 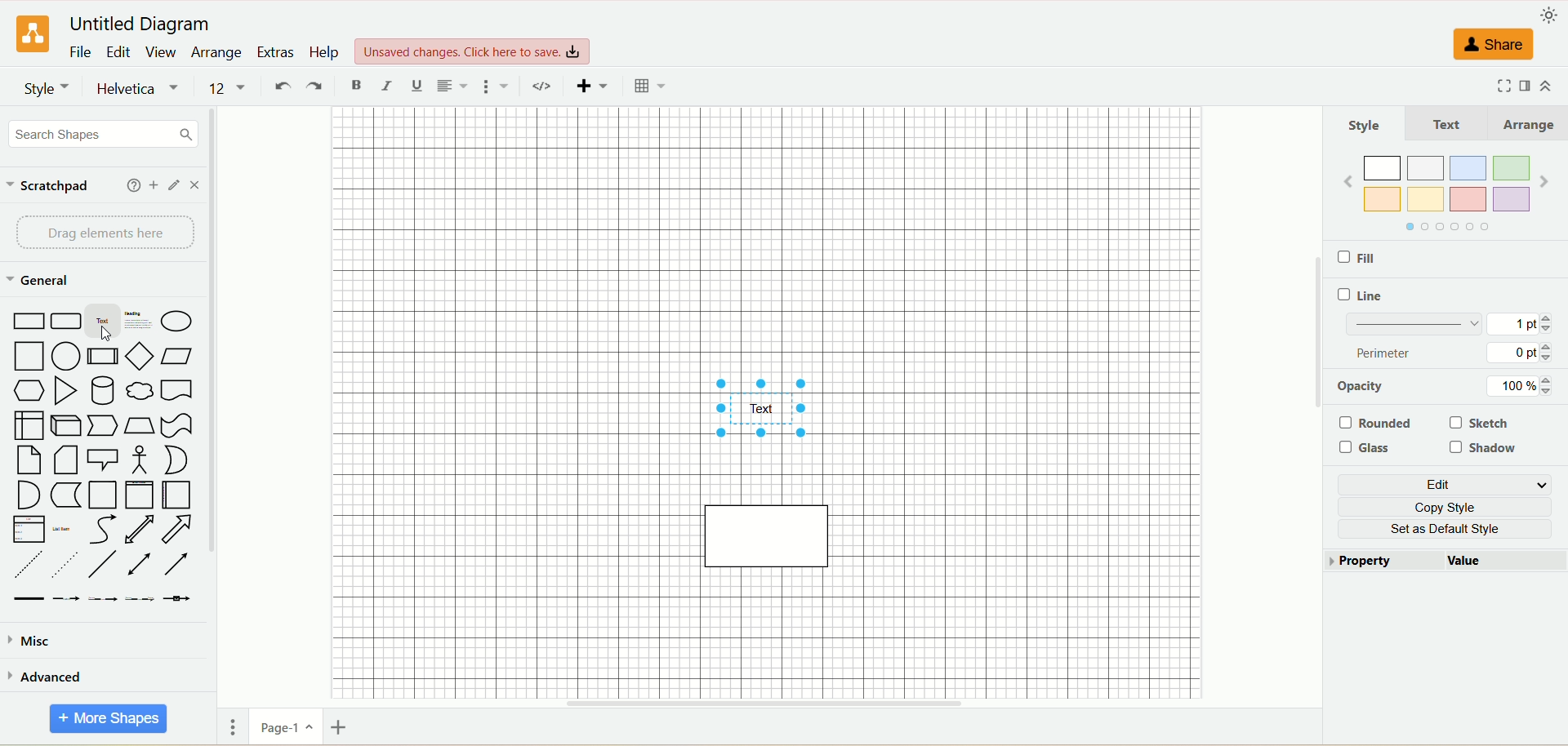 What do you see at coordinates (105, 459) in the screenshot?
I see `callout` at bounding box center [105, 459].